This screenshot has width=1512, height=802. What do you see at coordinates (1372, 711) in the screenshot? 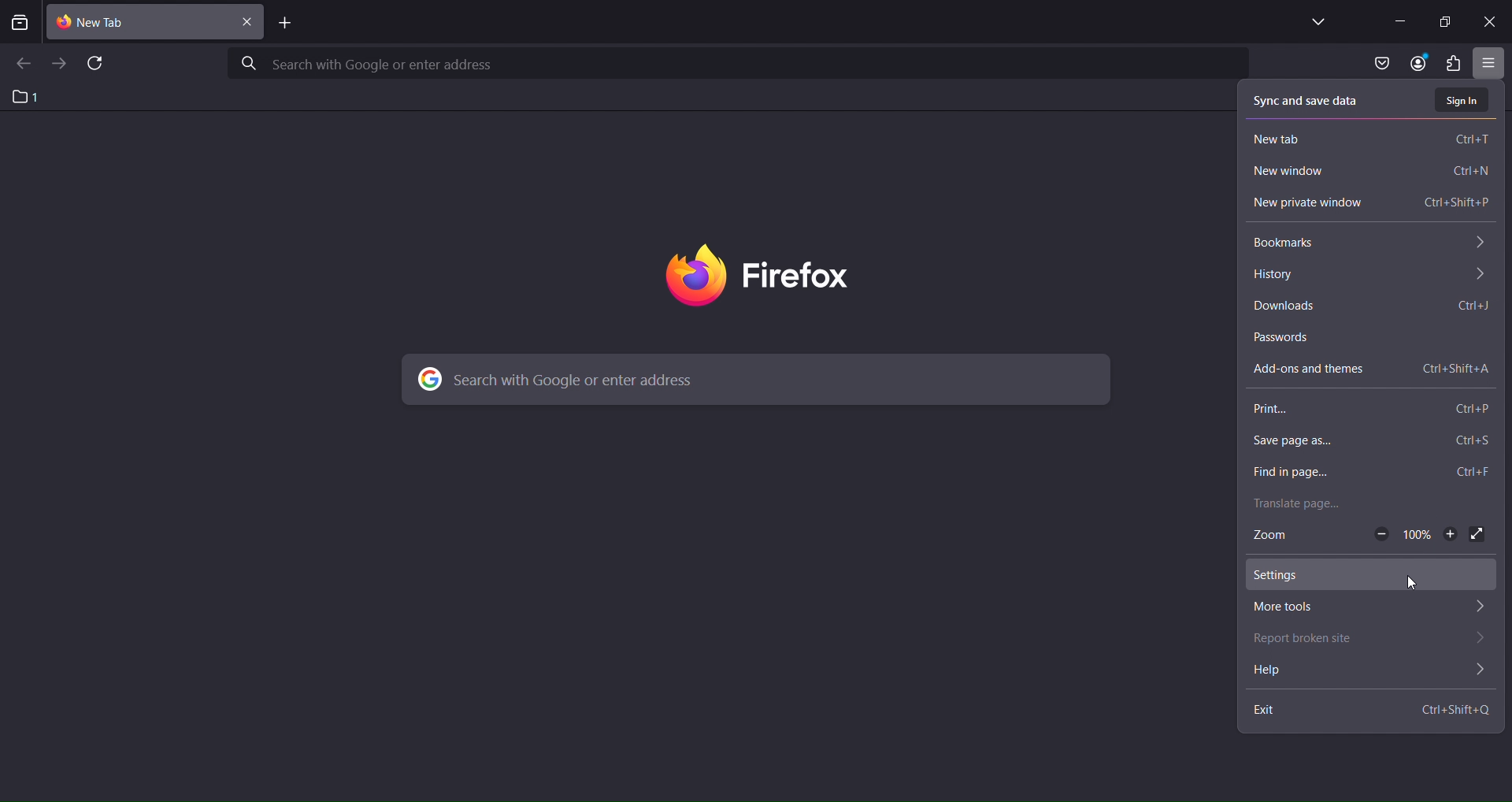
I see `exit` at bounding box center [1372, 711].